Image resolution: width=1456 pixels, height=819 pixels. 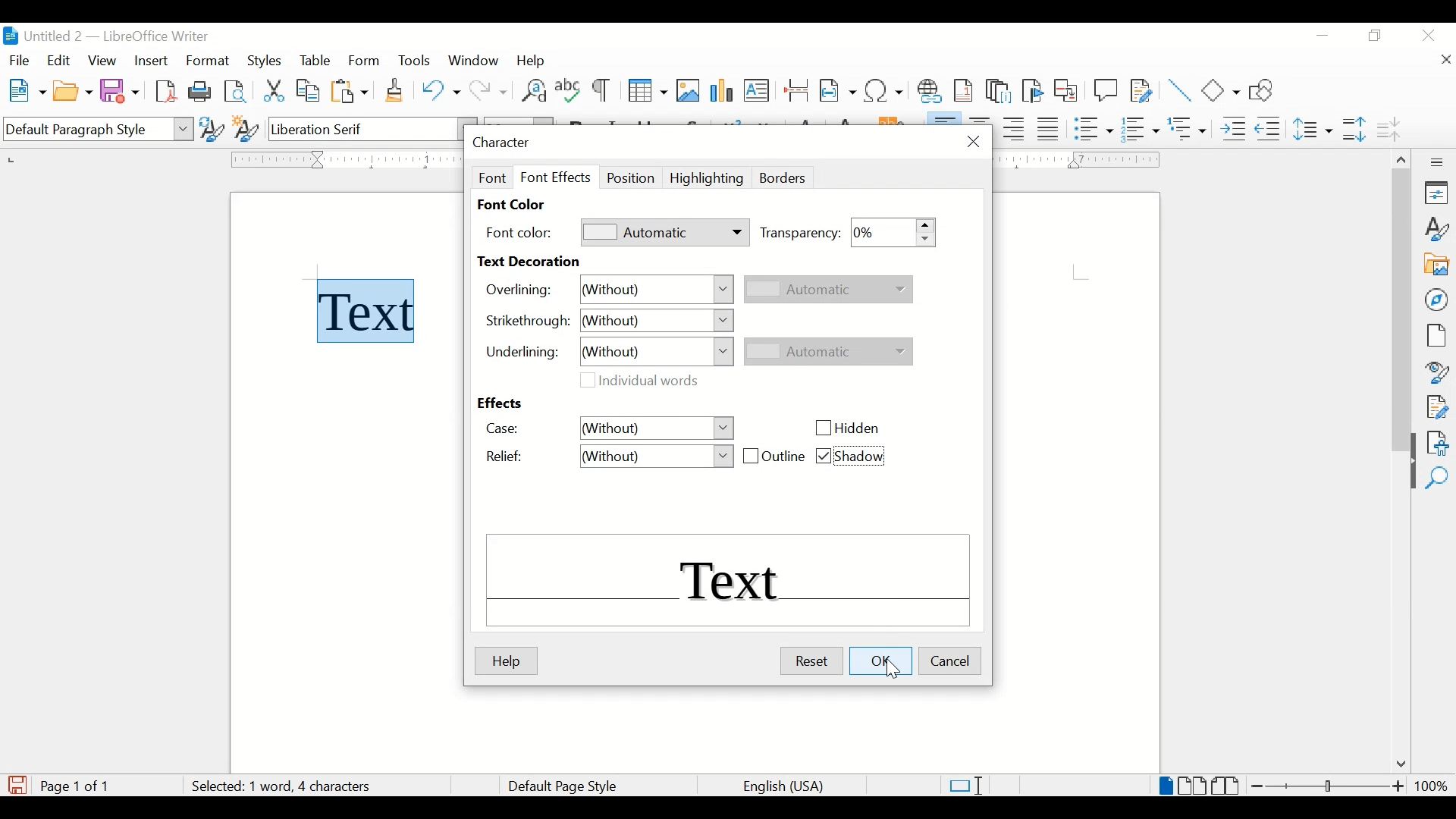 I want to click on book view, so click(x=1228, y=786).